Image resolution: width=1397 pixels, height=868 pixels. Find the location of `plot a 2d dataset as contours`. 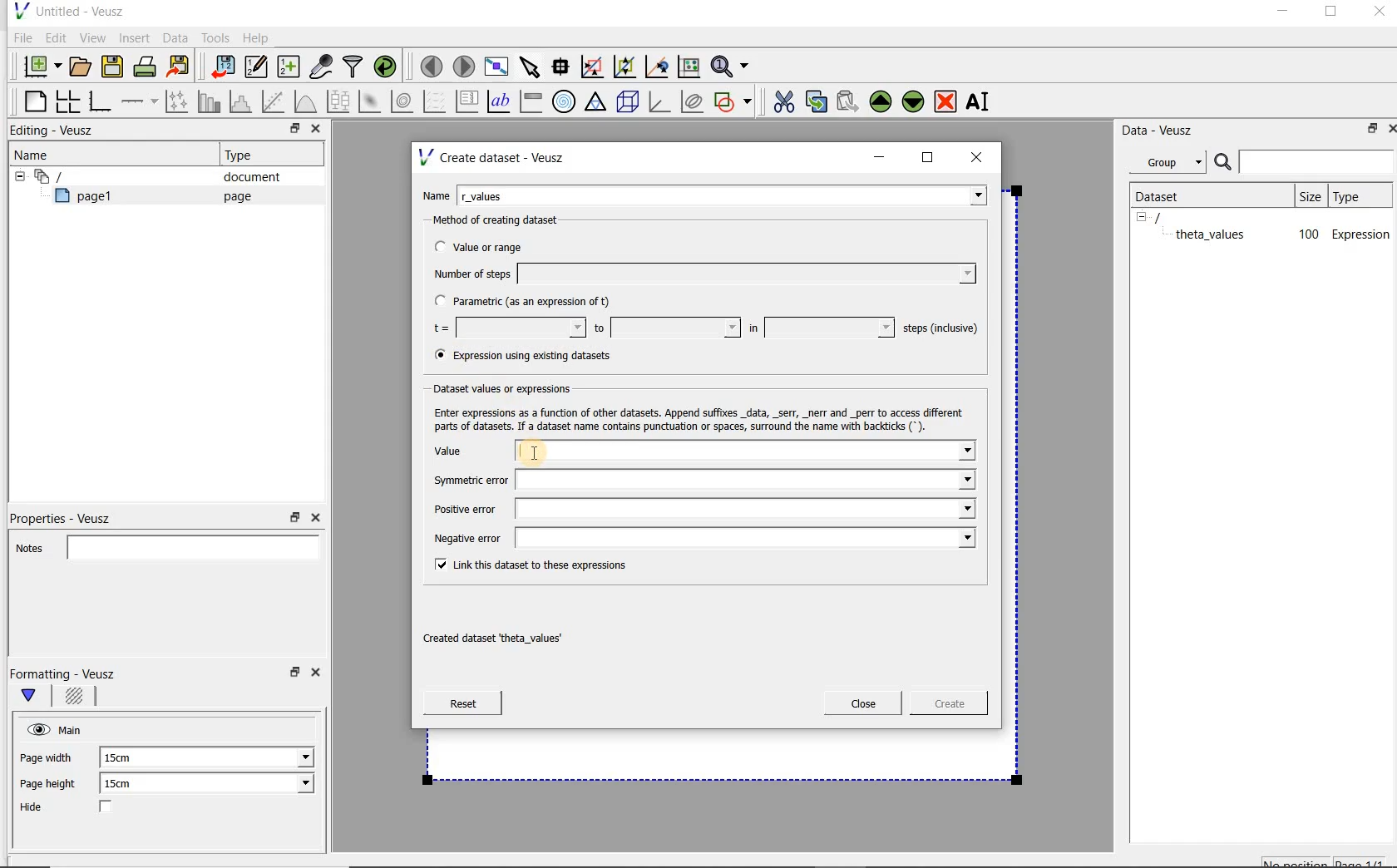

plot a 2d dataset as contours is located at coordinates (403, 101).